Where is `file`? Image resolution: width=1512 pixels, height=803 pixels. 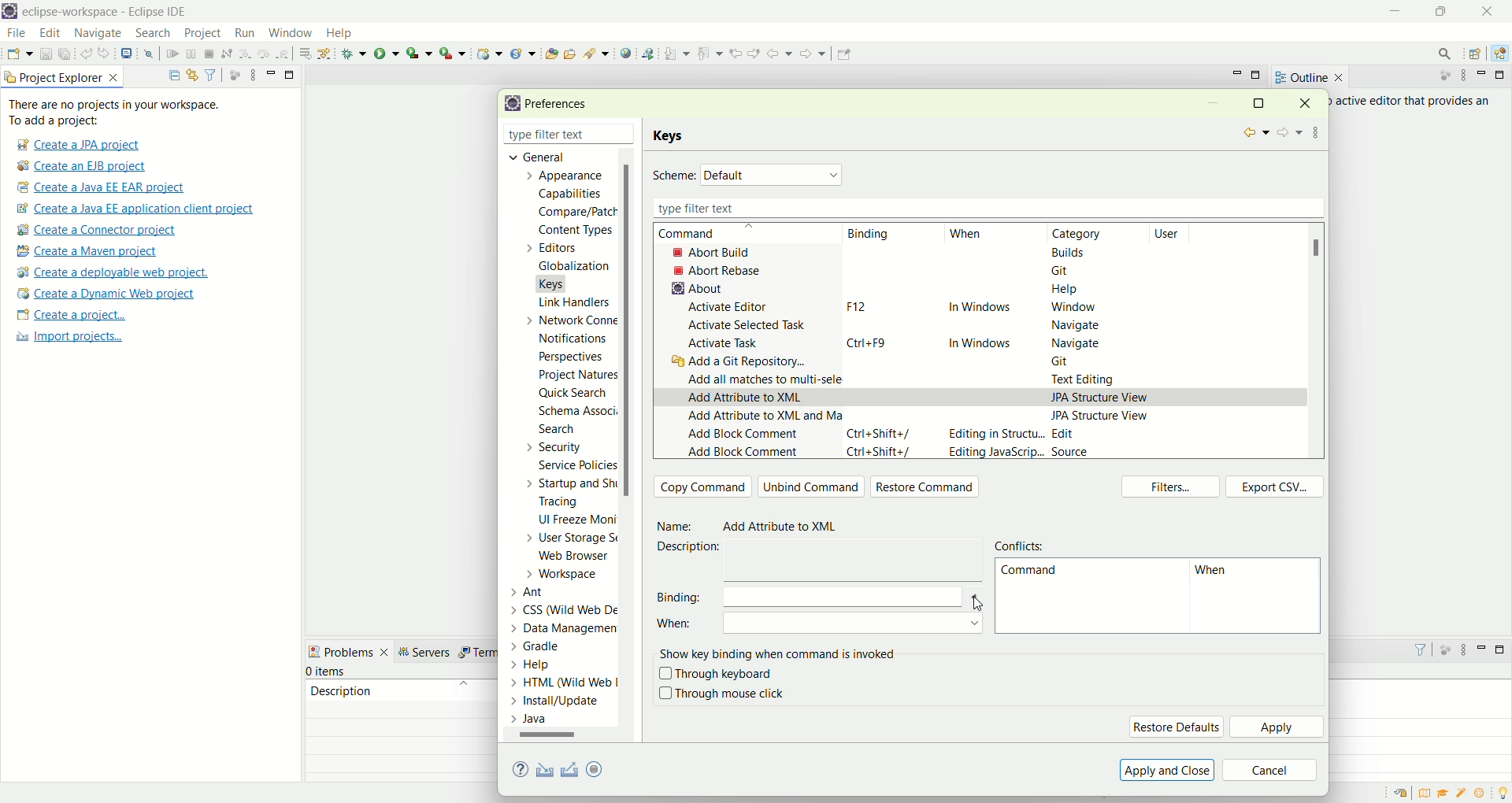
file is located at coordinates (15, 34).